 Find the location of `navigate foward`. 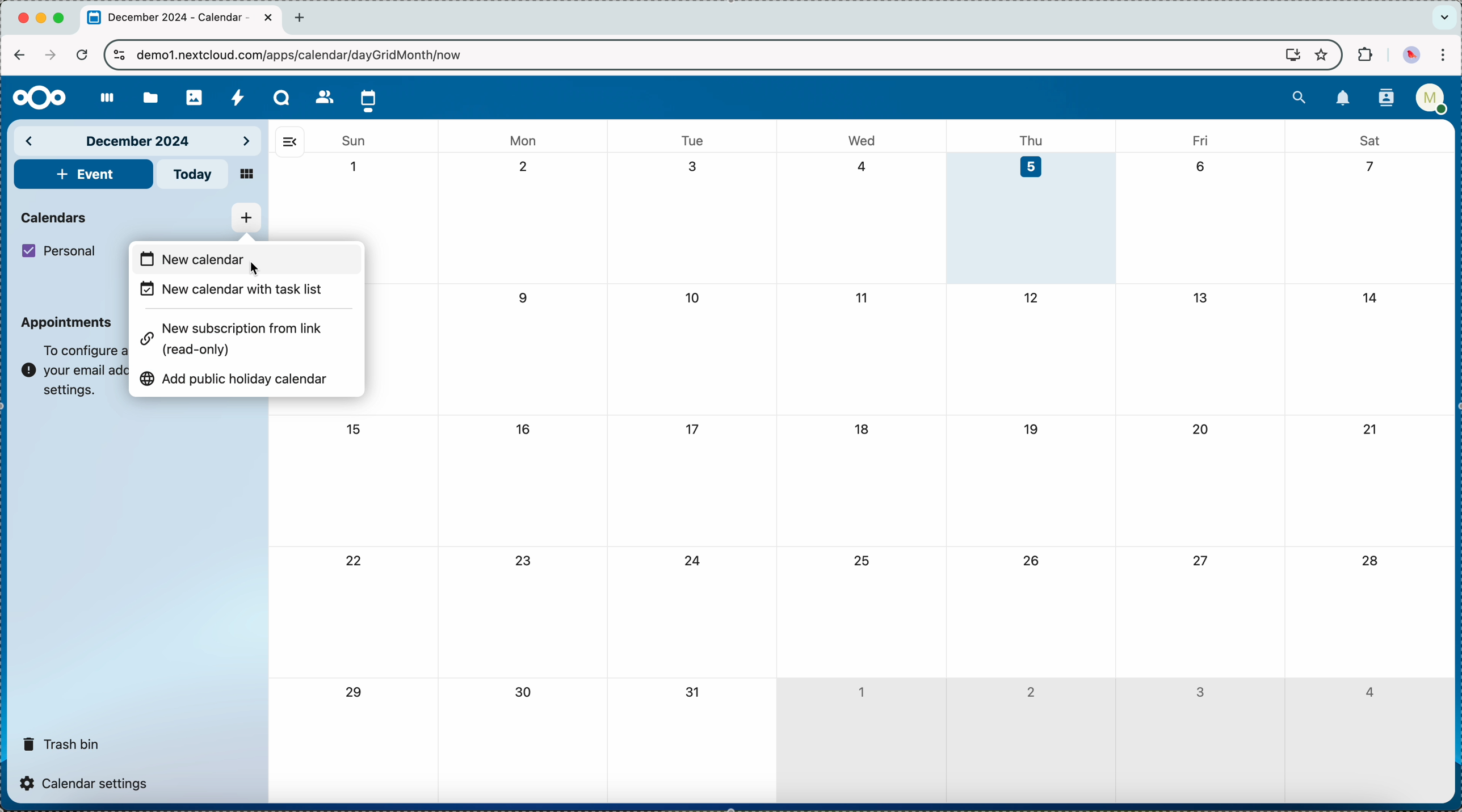

navigate foward is located at coordinates (48, 55).